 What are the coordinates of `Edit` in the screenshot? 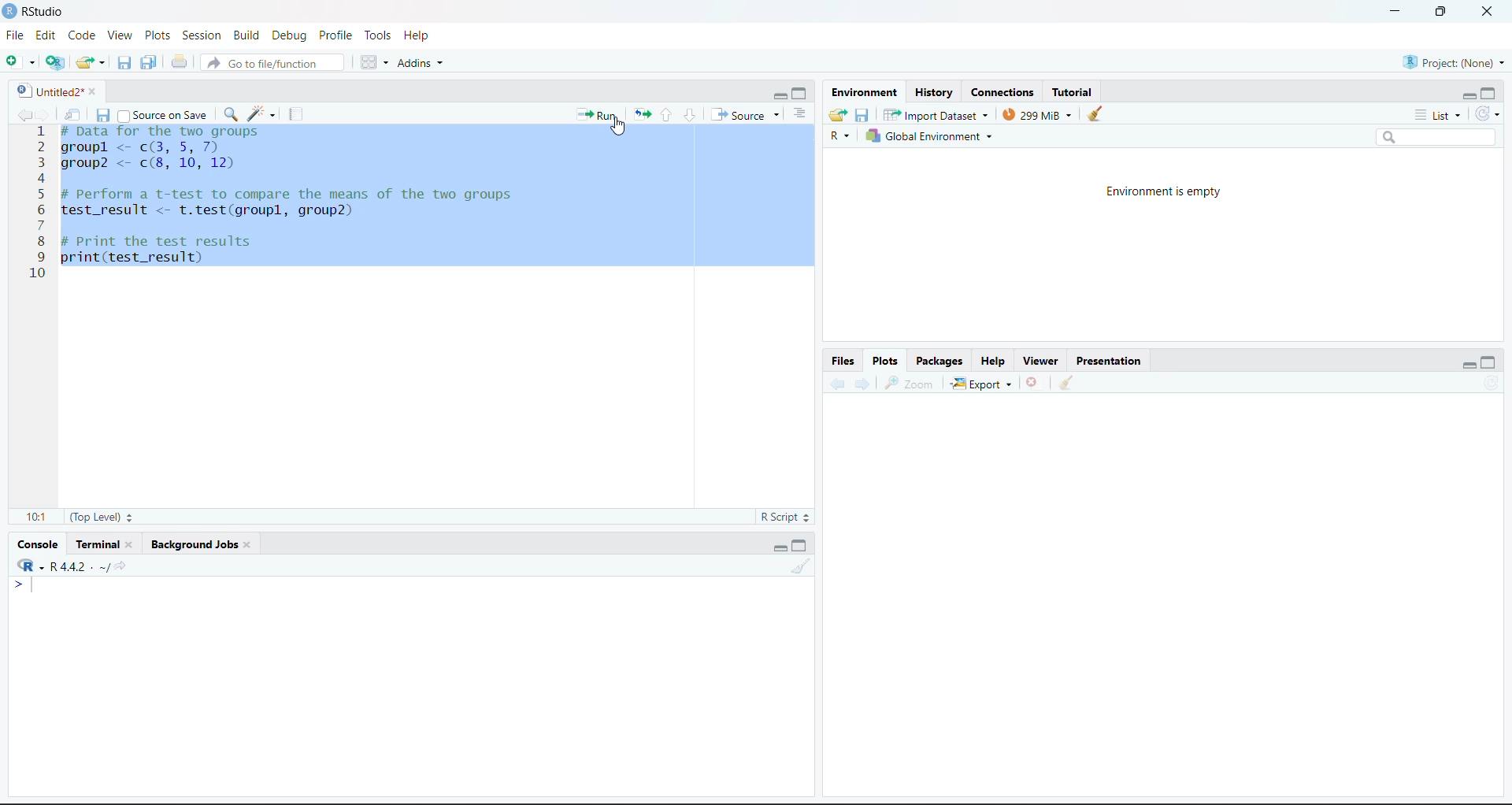 It's located at (46, 35).